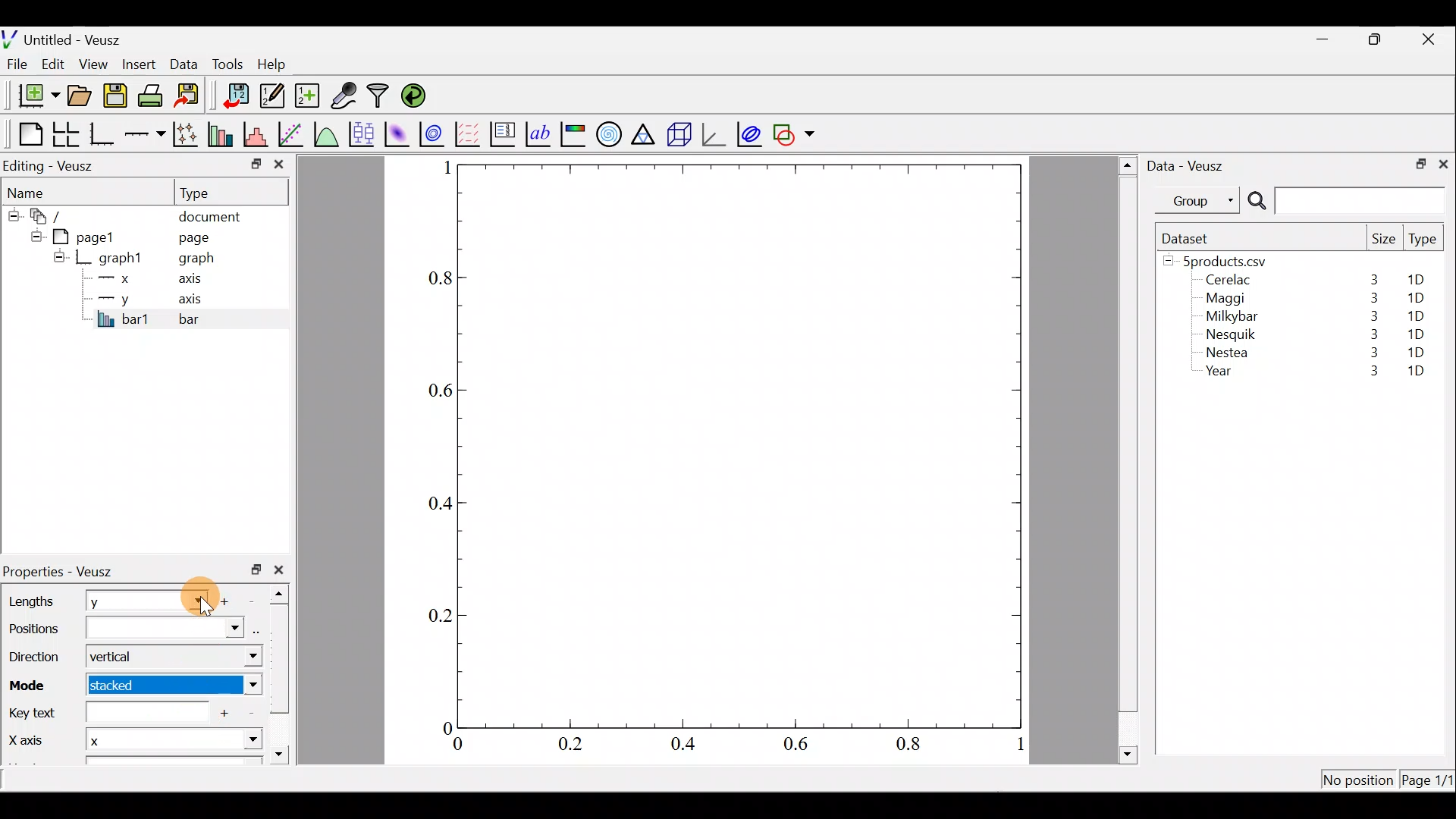 The height and width of the screenshot is (819, 1456). Describe the element at coordinates (272, 96) in the screenshot. I see `Edit and enter new datasets` at that location.